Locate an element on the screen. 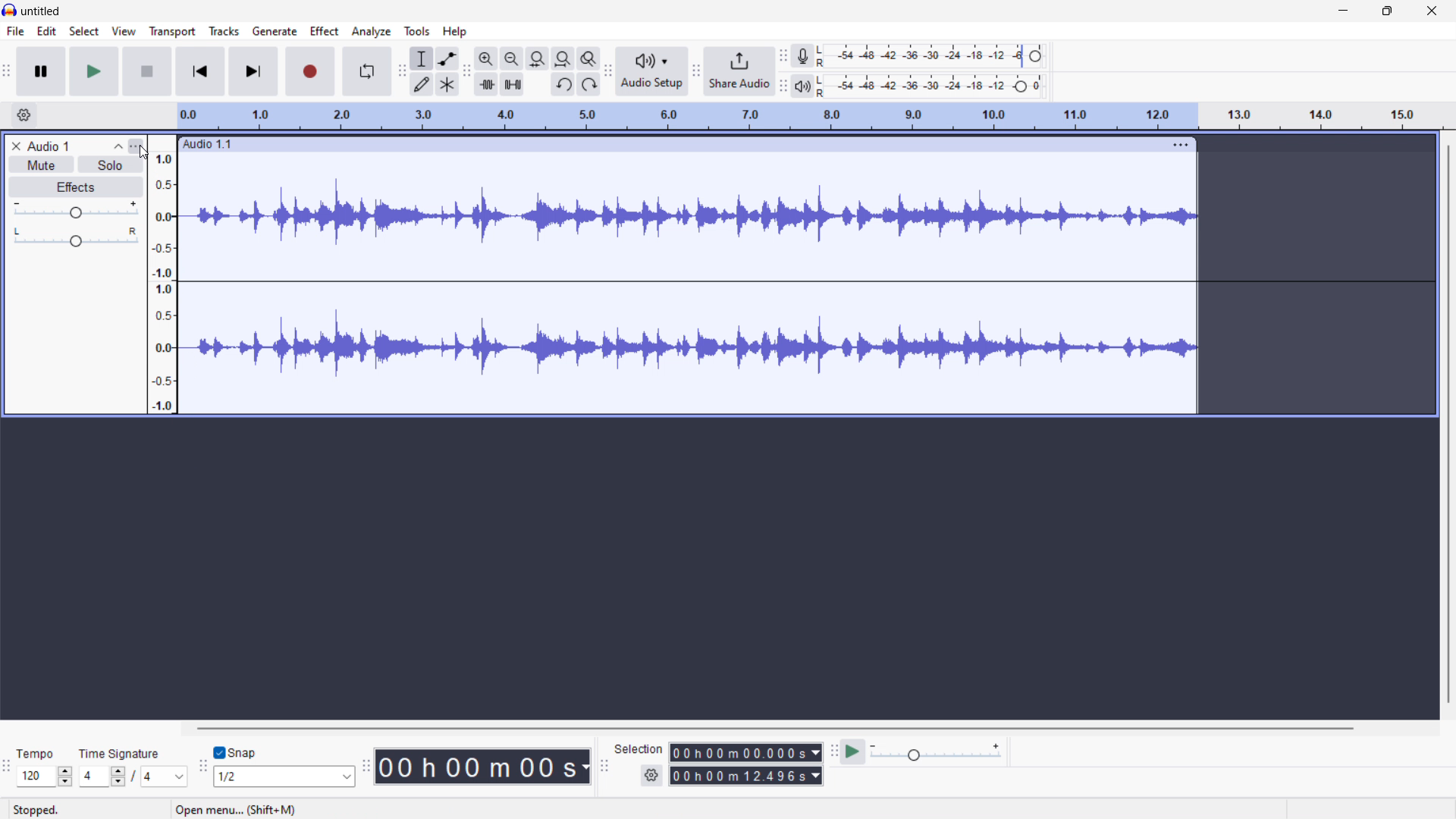 The width and height of the screenshot is (1456, 819). 1/2 is located at coordinates (269, 777).